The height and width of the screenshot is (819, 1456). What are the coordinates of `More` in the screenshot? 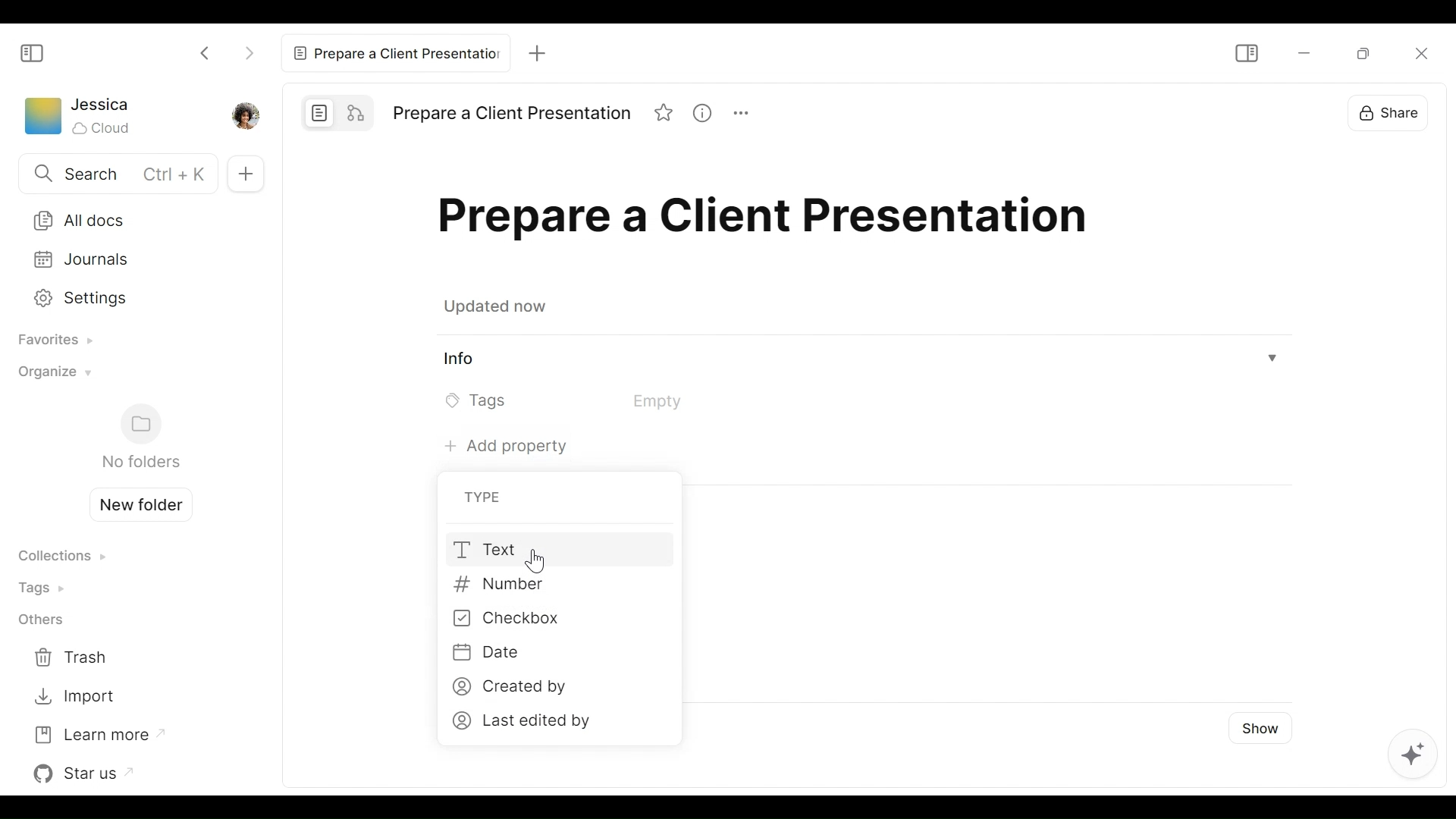 It's located at (748, 115).